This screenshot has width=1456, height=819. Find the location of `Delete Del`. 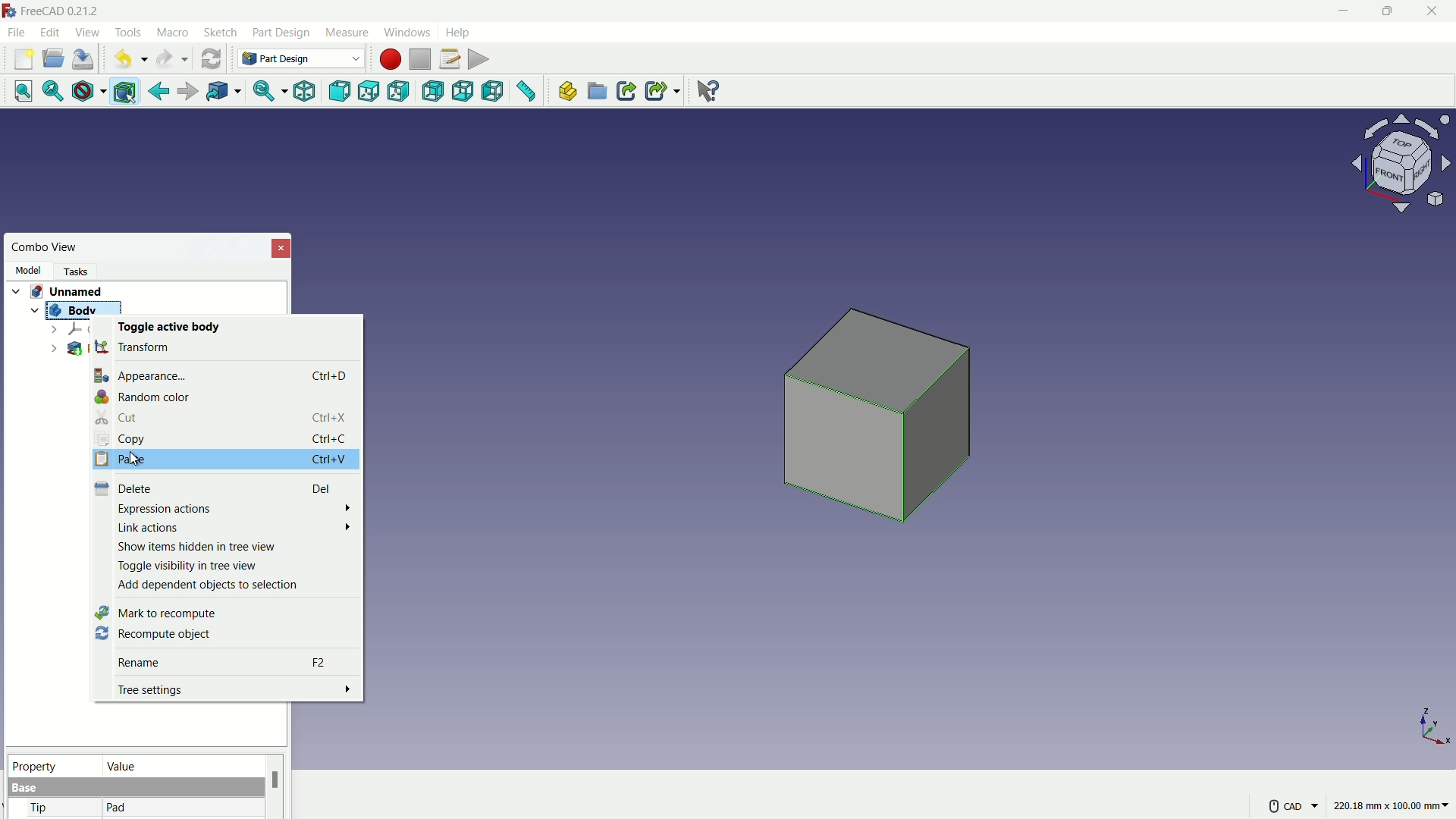

Delete Del is located at coordinates (219, 489).